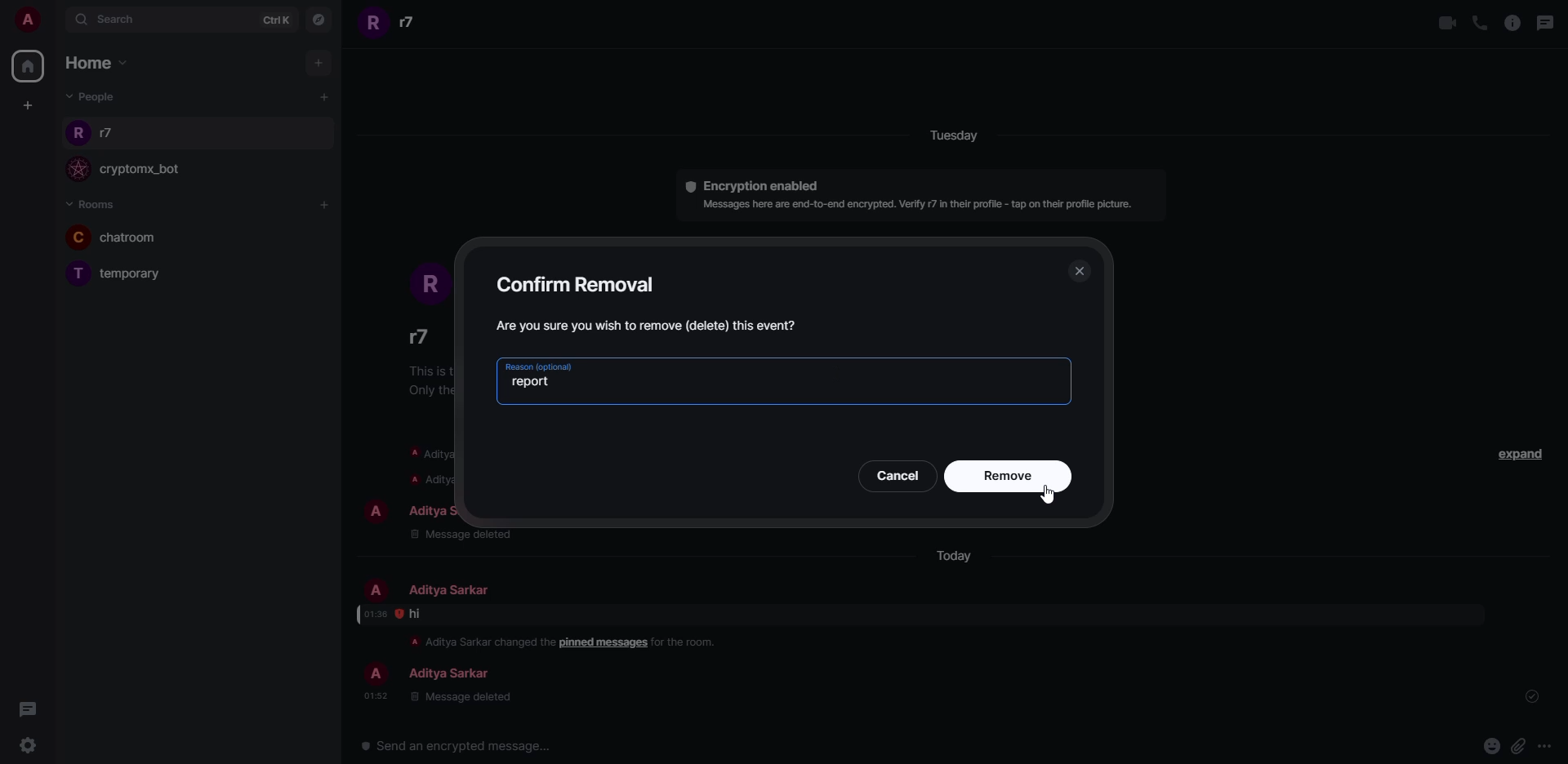  Describe the element at coordinates (425, 280) in the screenshot. I see `profile` at that location.